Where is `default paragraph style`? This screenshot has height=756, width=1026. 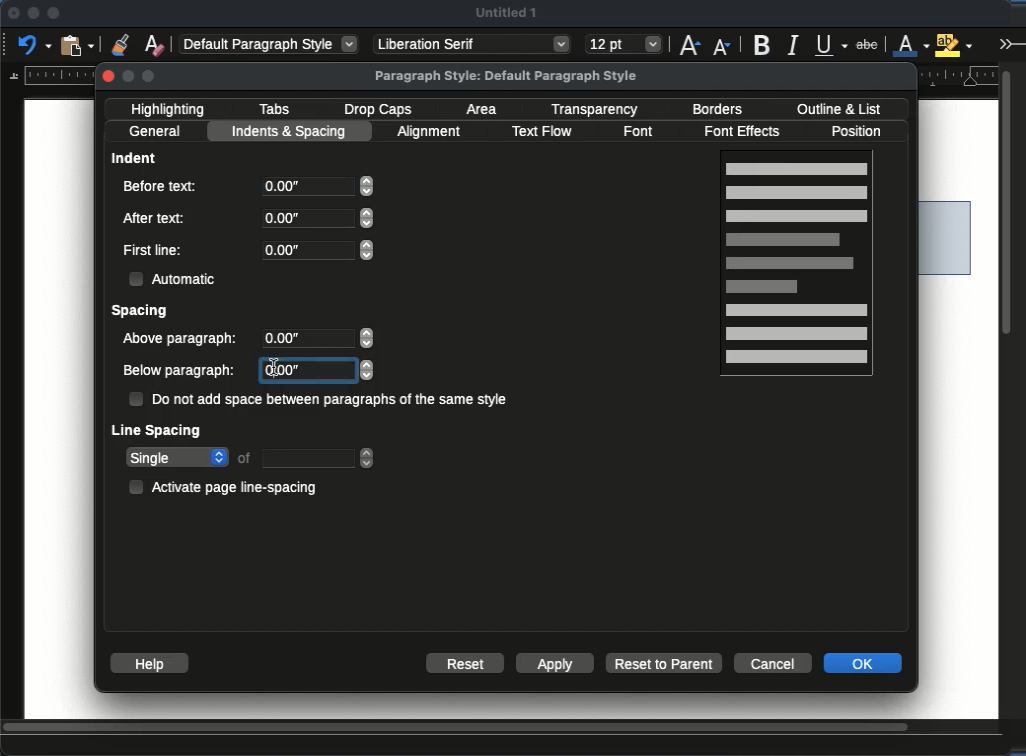 default paragraph style is located at coordinates (270, 43).